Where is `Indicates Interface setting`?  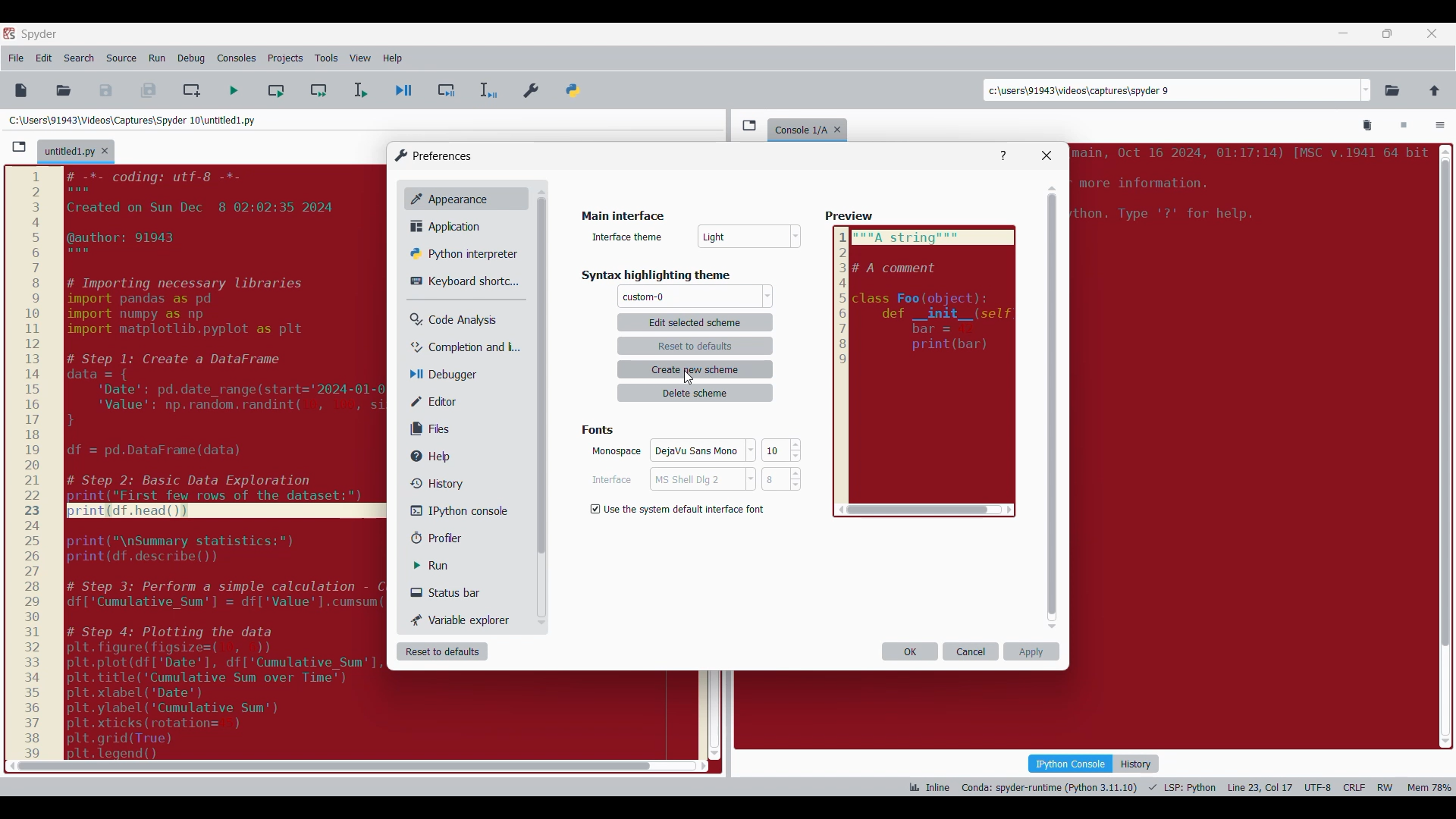 Indicates Interface setting is located at coordinates (612, 479).